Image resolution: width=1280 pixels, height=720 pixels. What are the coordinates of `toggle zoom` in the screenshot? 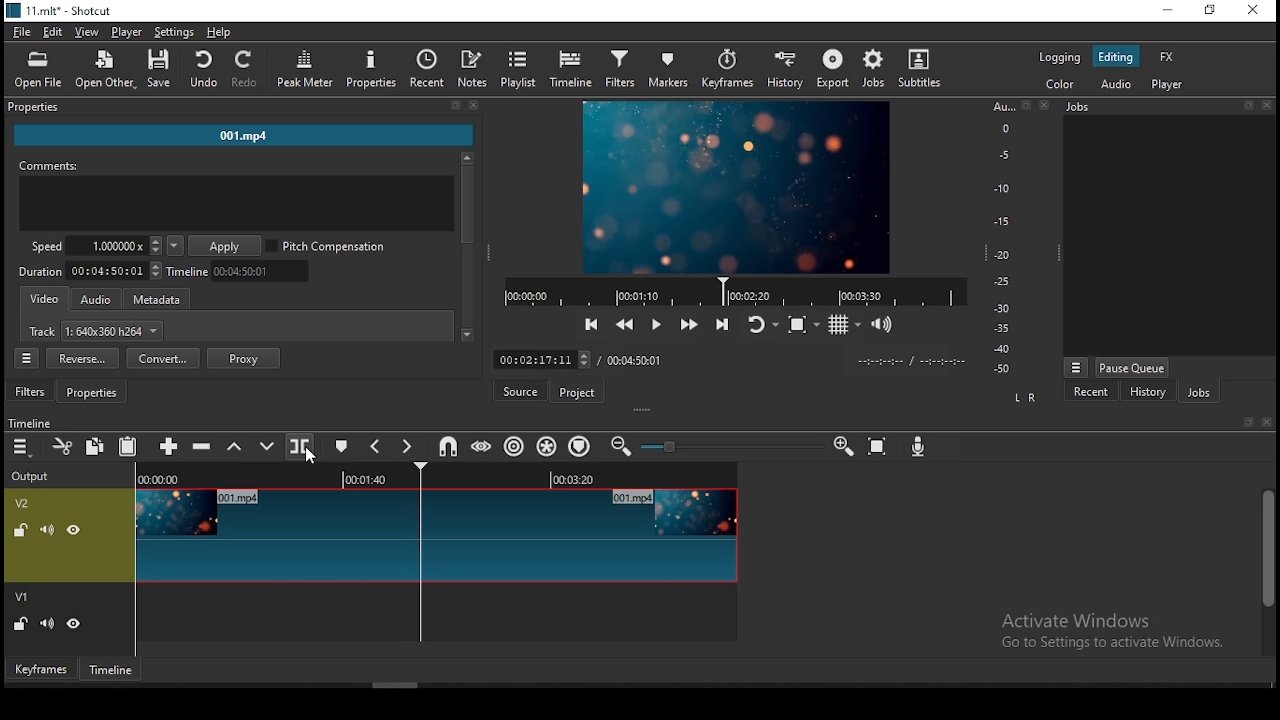 It's located at (802, 323).